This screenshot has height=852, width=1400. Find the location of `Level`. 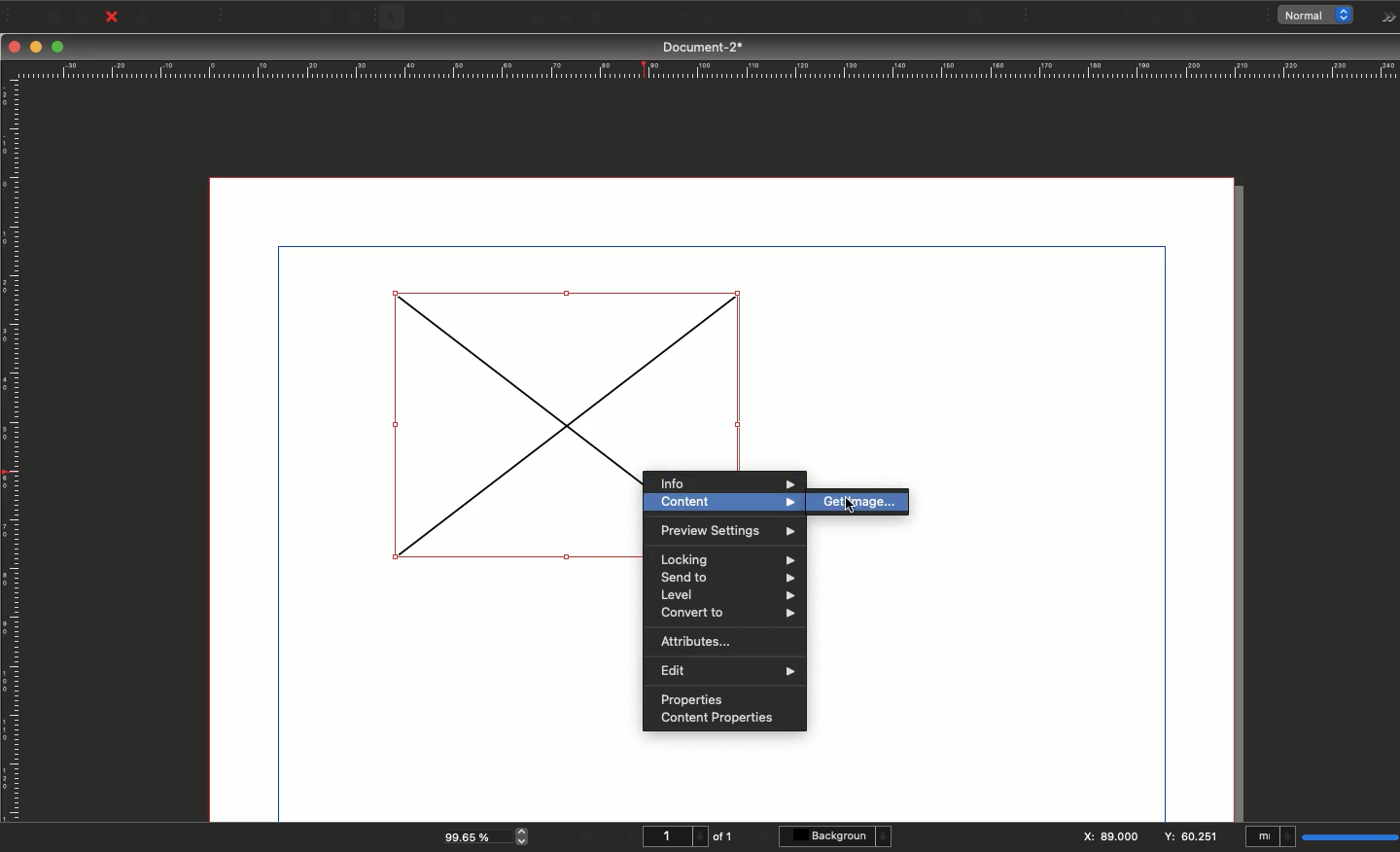

Level is located at coordinates (726, 595).